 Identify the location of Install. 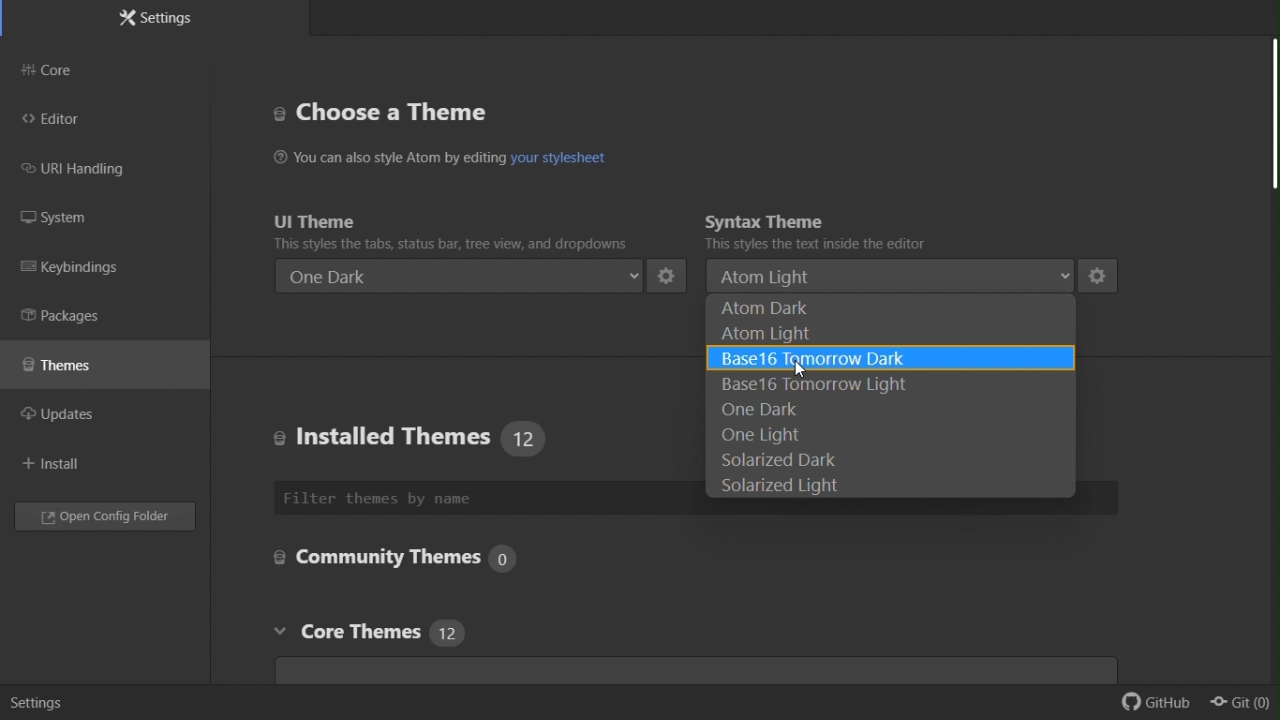
(66, 461).